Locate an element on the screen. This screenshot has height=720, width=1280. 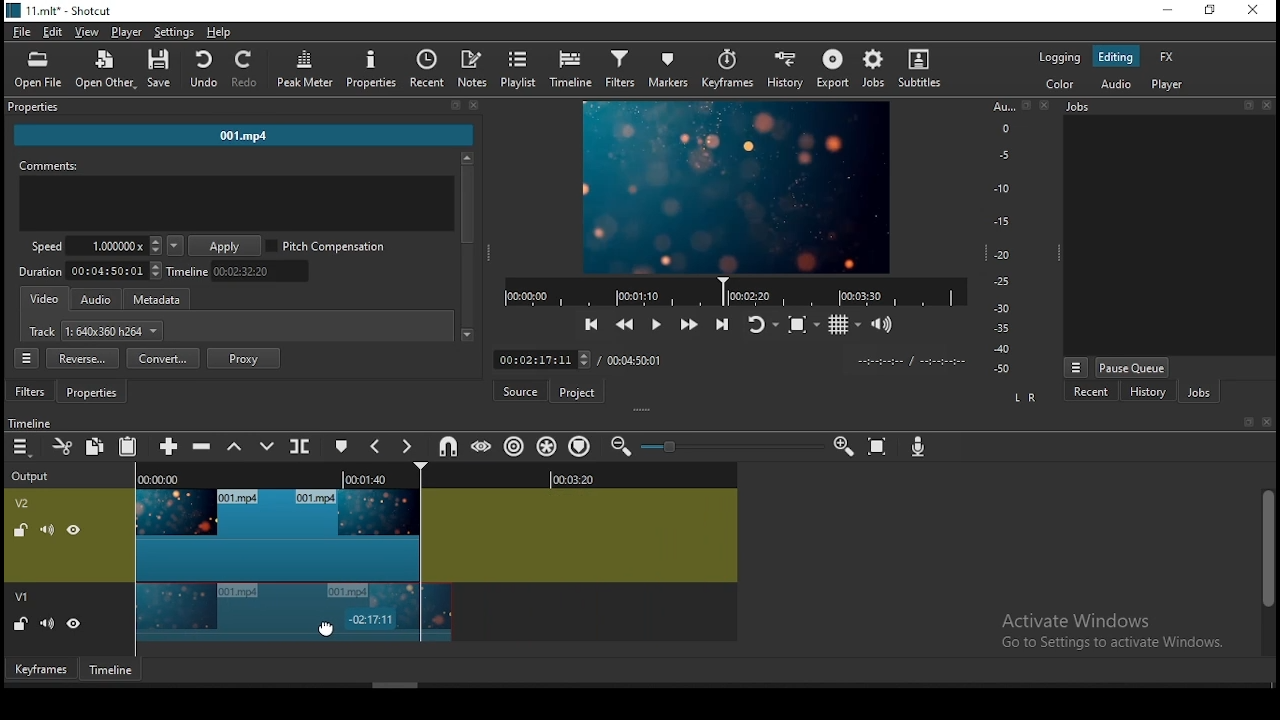
TIMELINE is located at coordinates (438, 475).